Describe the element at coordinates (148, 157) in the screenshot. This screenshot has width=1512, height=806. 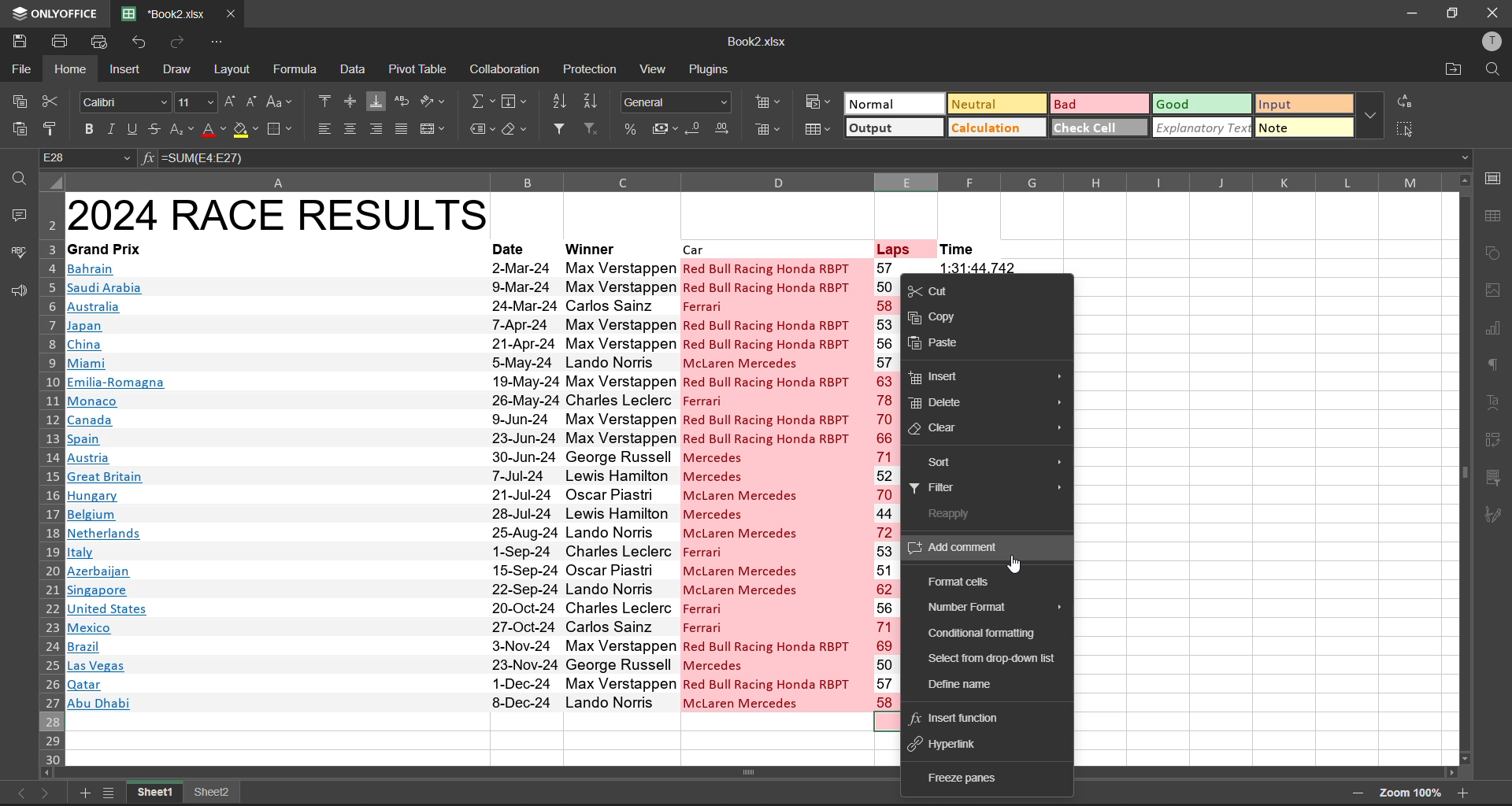
I see `fx` at that location.